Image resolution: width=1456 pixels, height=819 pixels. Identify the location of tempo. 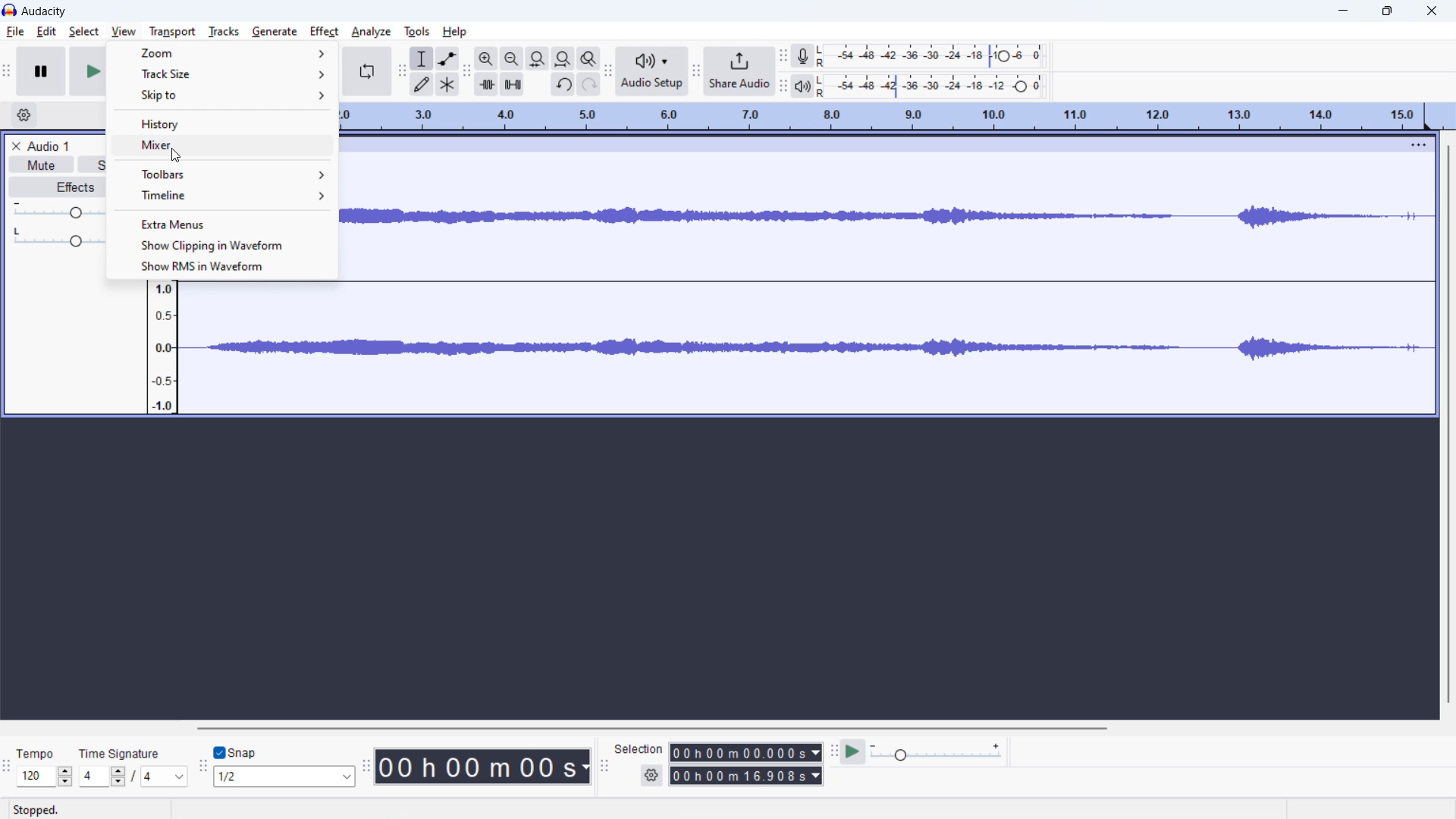
(39, 752).